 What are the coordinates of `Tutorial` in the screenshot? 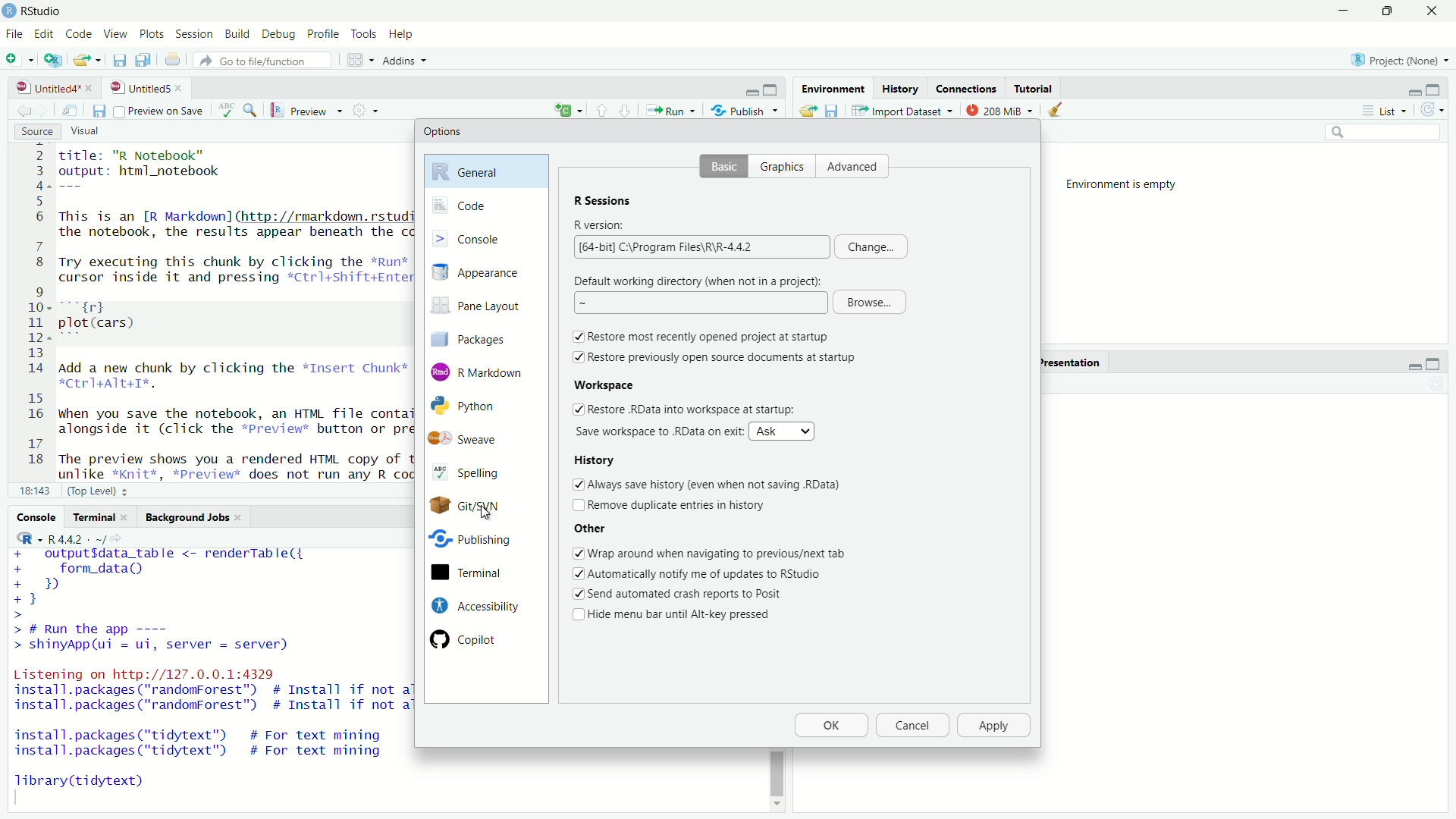 It's located at (1036, 88).